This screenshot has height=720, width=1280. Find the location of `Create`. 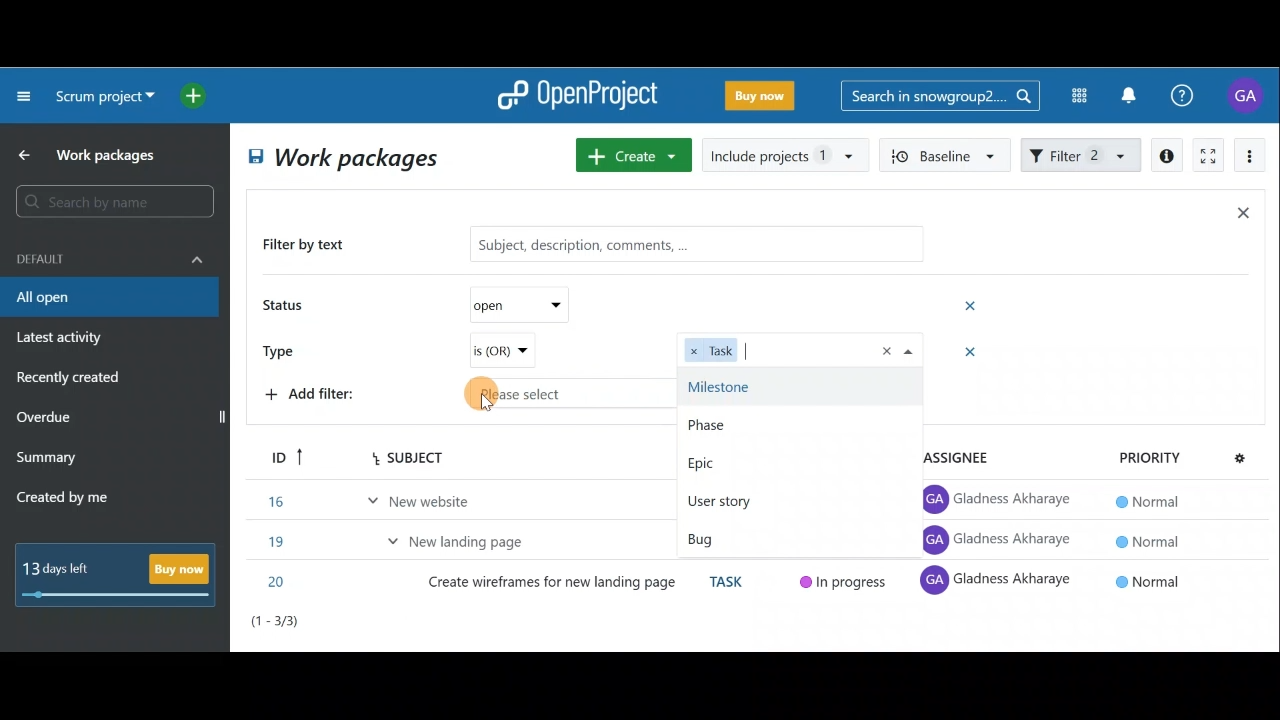

Create is located at coordinates (630, 155).